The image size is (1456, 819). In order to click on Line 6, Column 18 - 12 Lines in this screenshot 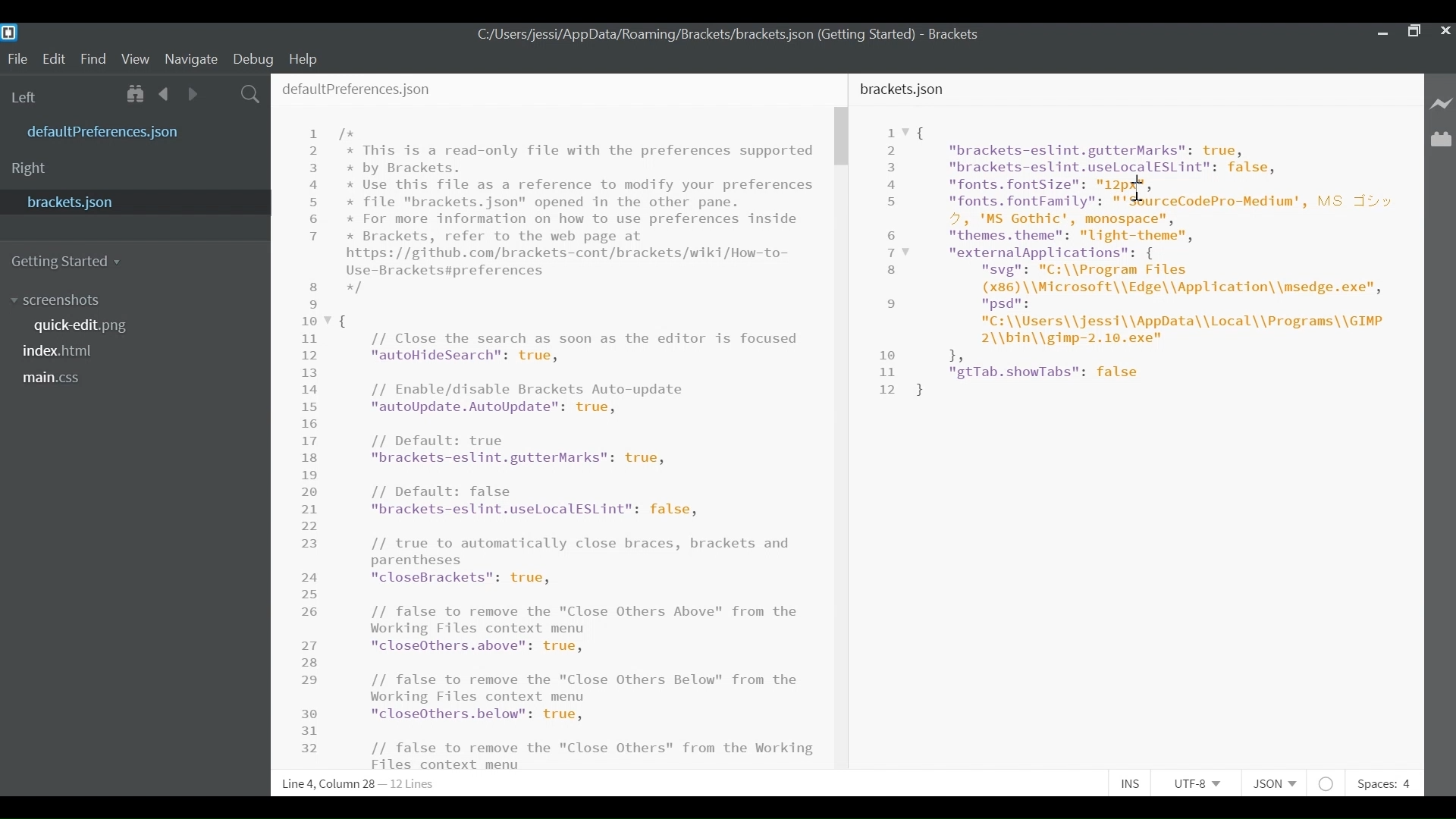, I will do `click(357, 785)`.